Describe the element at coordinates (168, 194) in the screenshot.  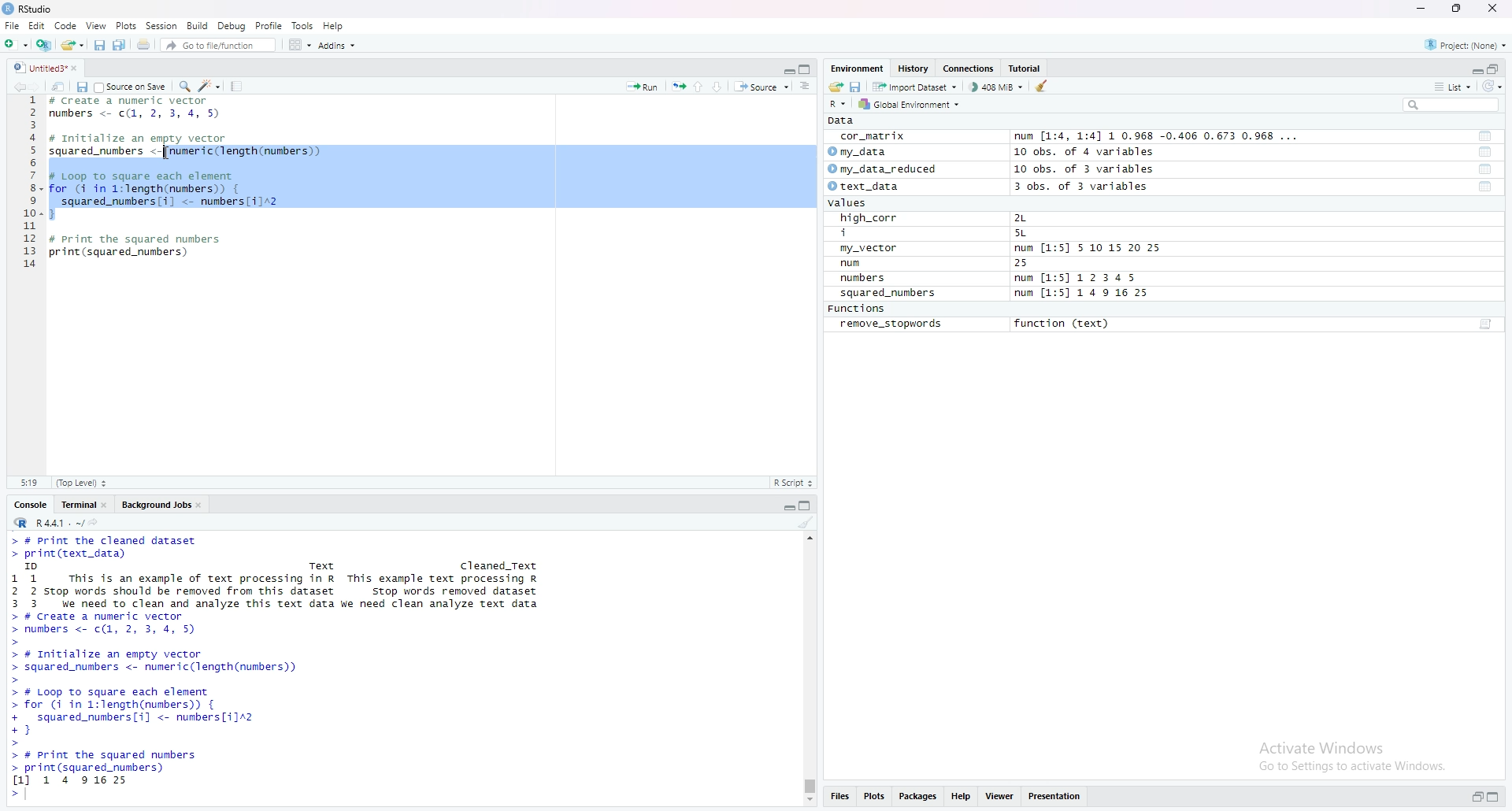
I see `# Loop to square each element

for (i in 1:length(nunbers)) {
squared_numbers(i] <- numbers [i142

}` at that location.